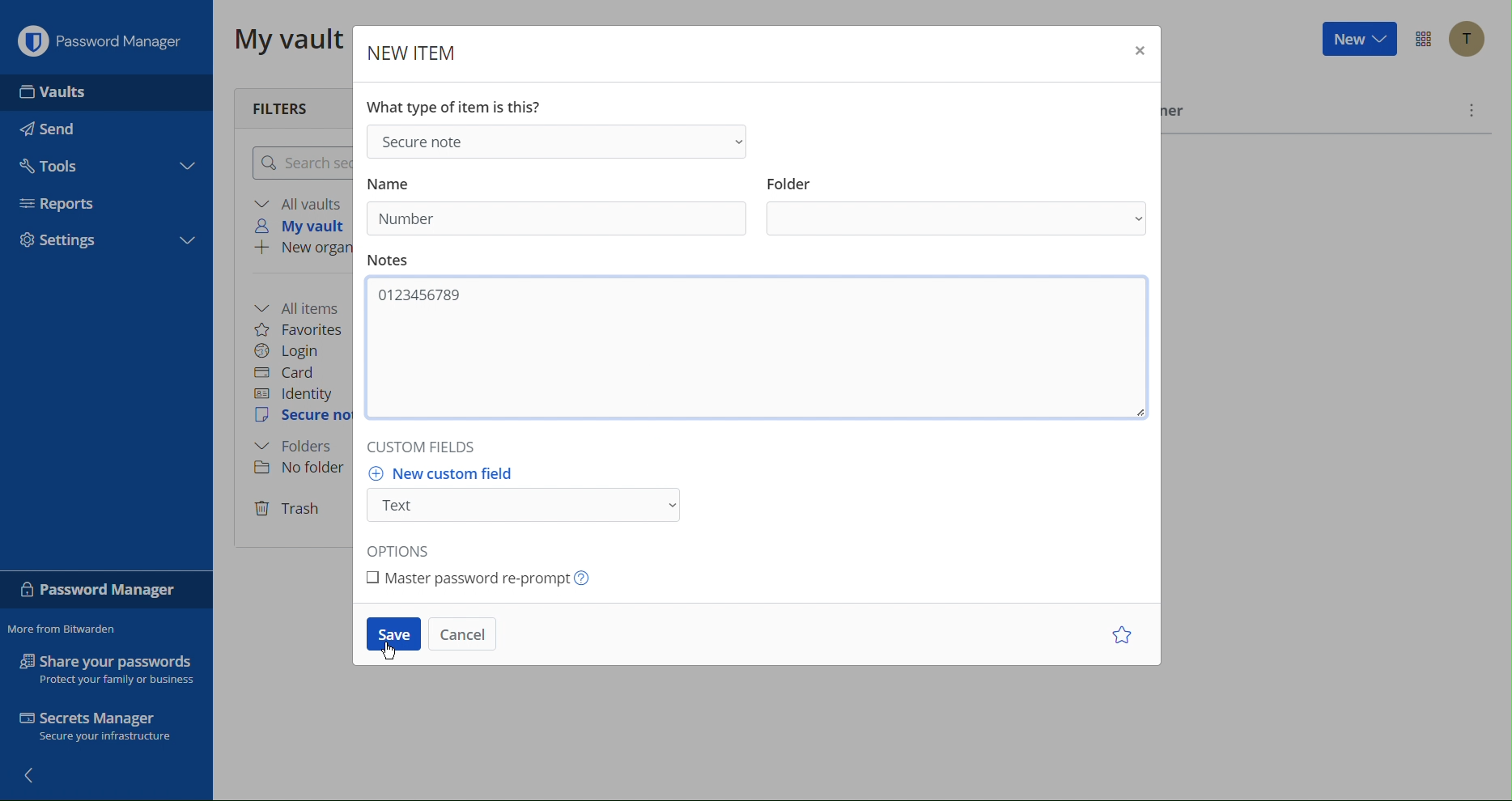 This screenshot has width=1512, height=801. I want to click on Custom Fields, so click(436, 450).